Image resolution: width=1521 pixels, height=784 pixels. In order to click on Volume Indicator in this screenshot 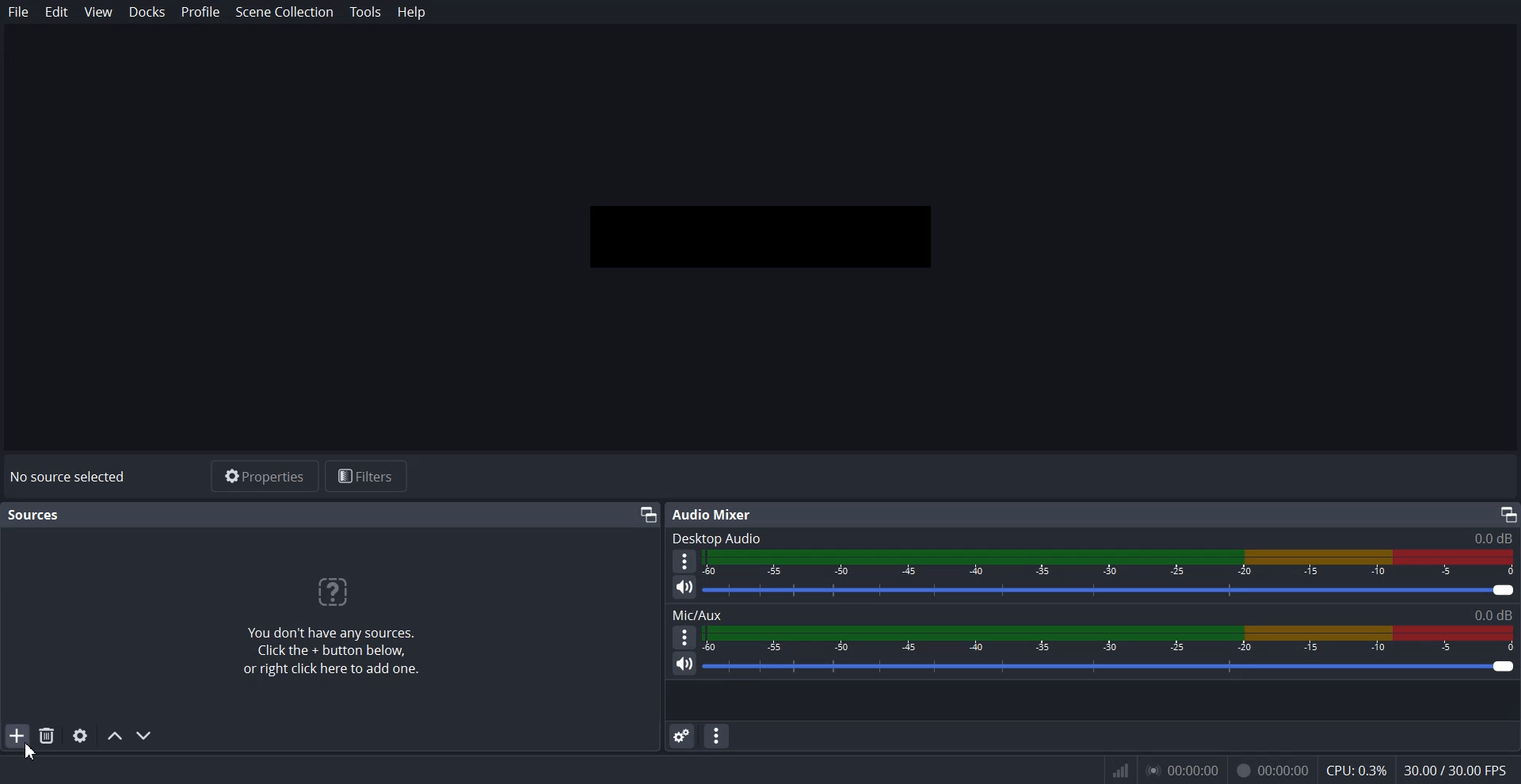, I will do `click(1111, 563)`.